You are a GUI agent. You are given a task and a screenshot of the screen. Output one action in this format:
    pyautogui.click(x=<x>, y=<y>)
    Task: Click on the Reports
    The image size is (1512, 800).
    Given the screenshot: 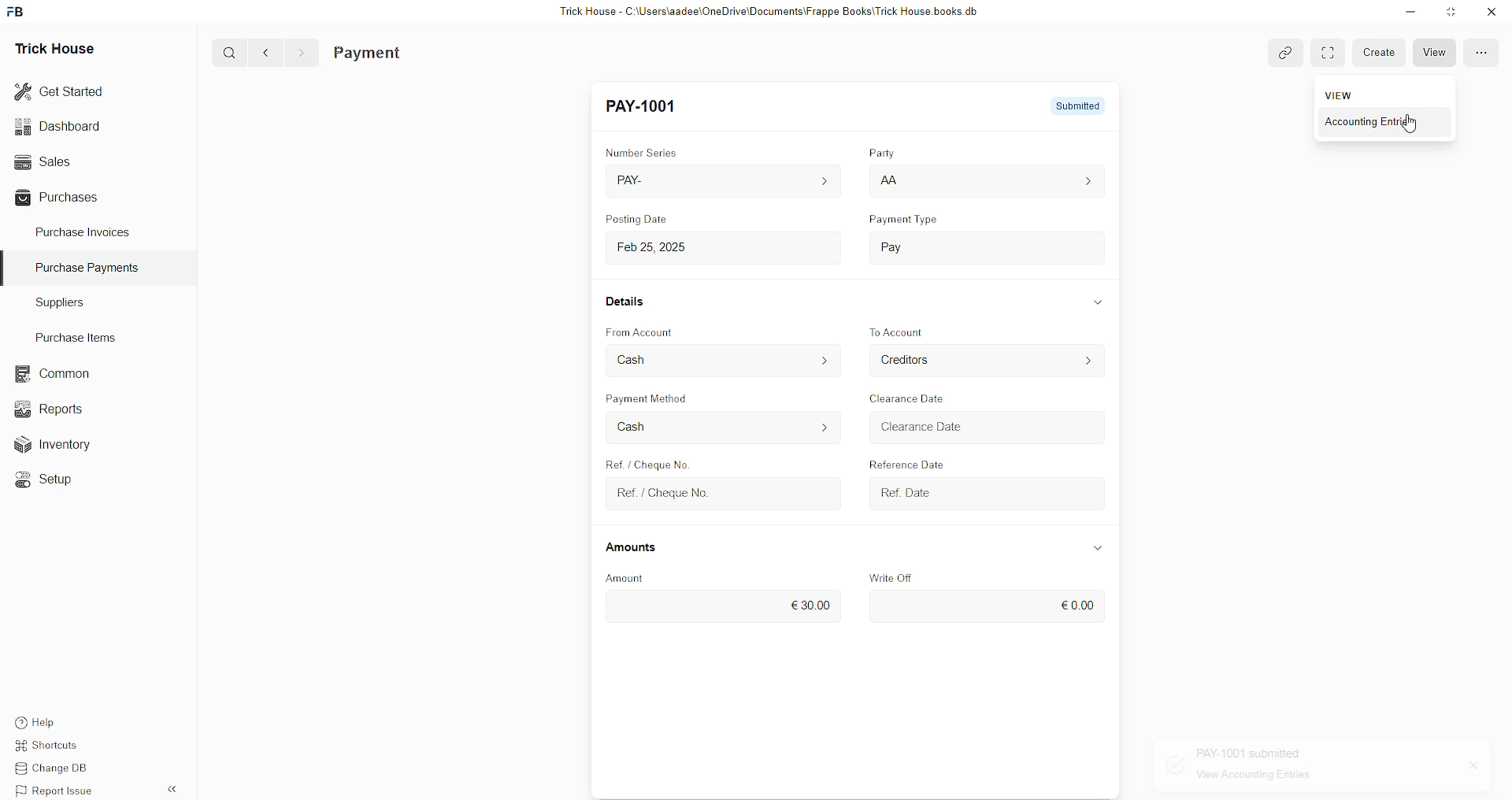 What is the action you would take?
    pyautogui.click(x=54, y=407)
    